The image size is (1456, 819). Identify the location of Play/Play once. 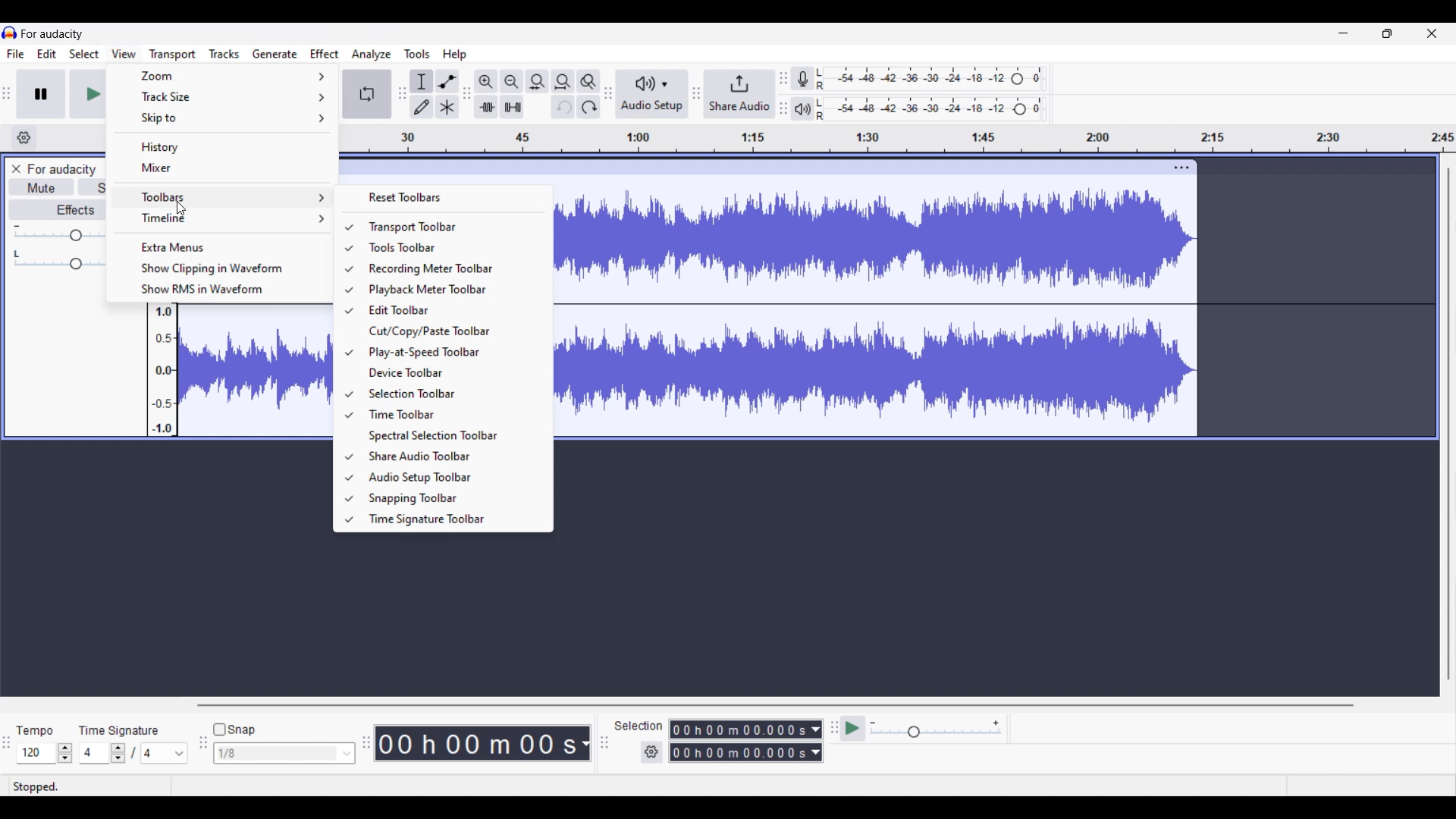
(86, 94).